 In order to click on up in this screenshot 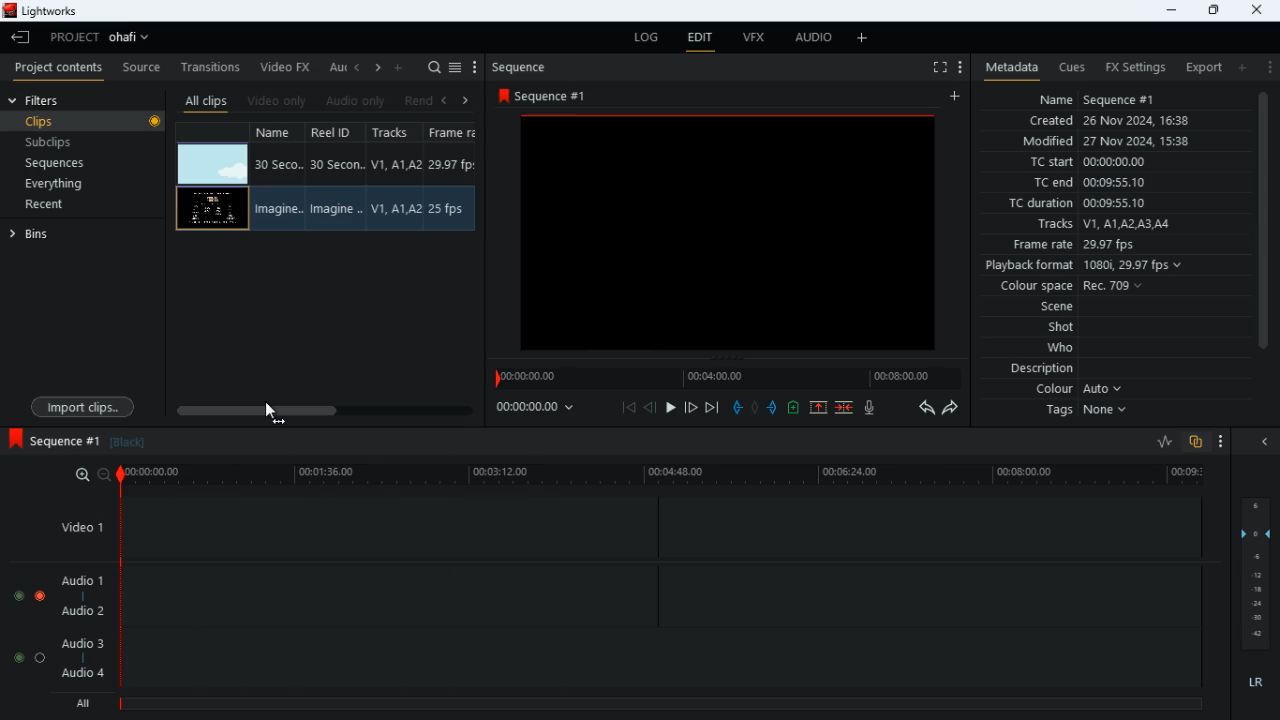, I will do `click(819, 408)`.